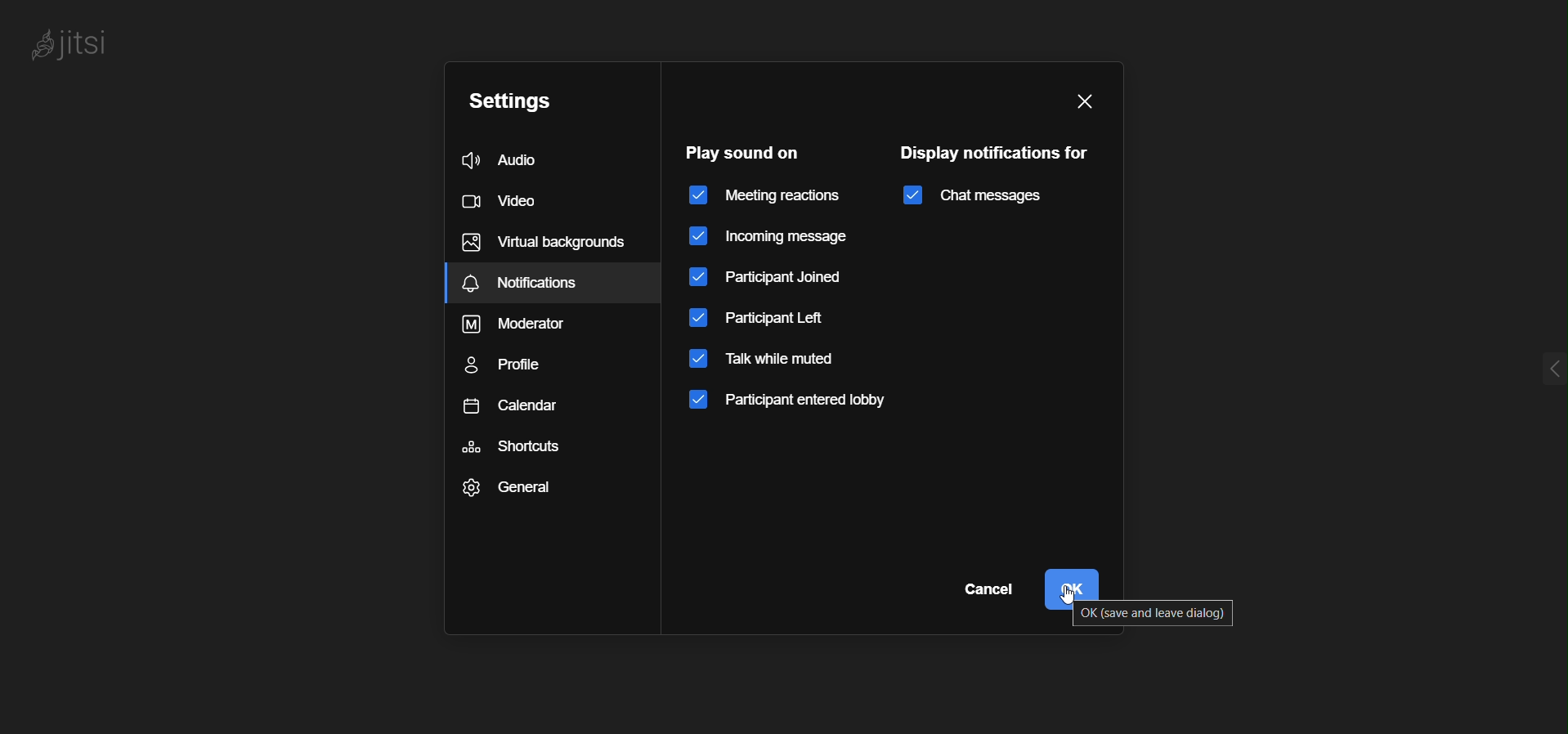 The image size is (1568, 734). I want to click on participant left, so click(761, 322).